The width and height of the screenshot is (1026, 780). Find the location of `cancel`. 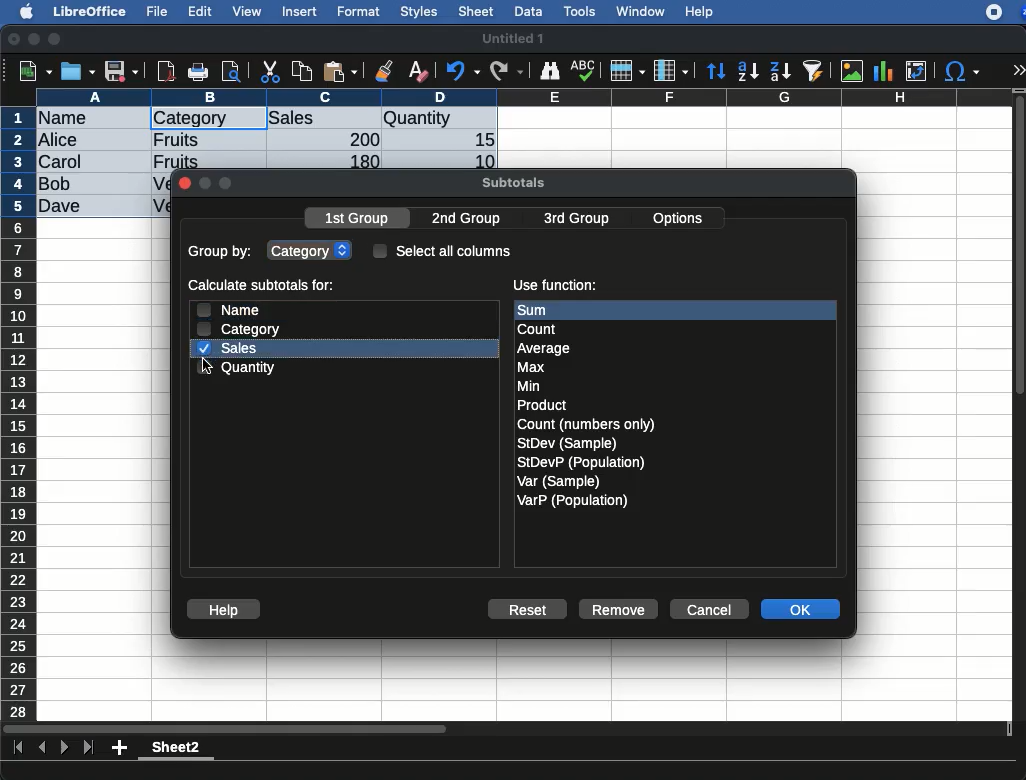

cancel is located at coordinates (708, 610).